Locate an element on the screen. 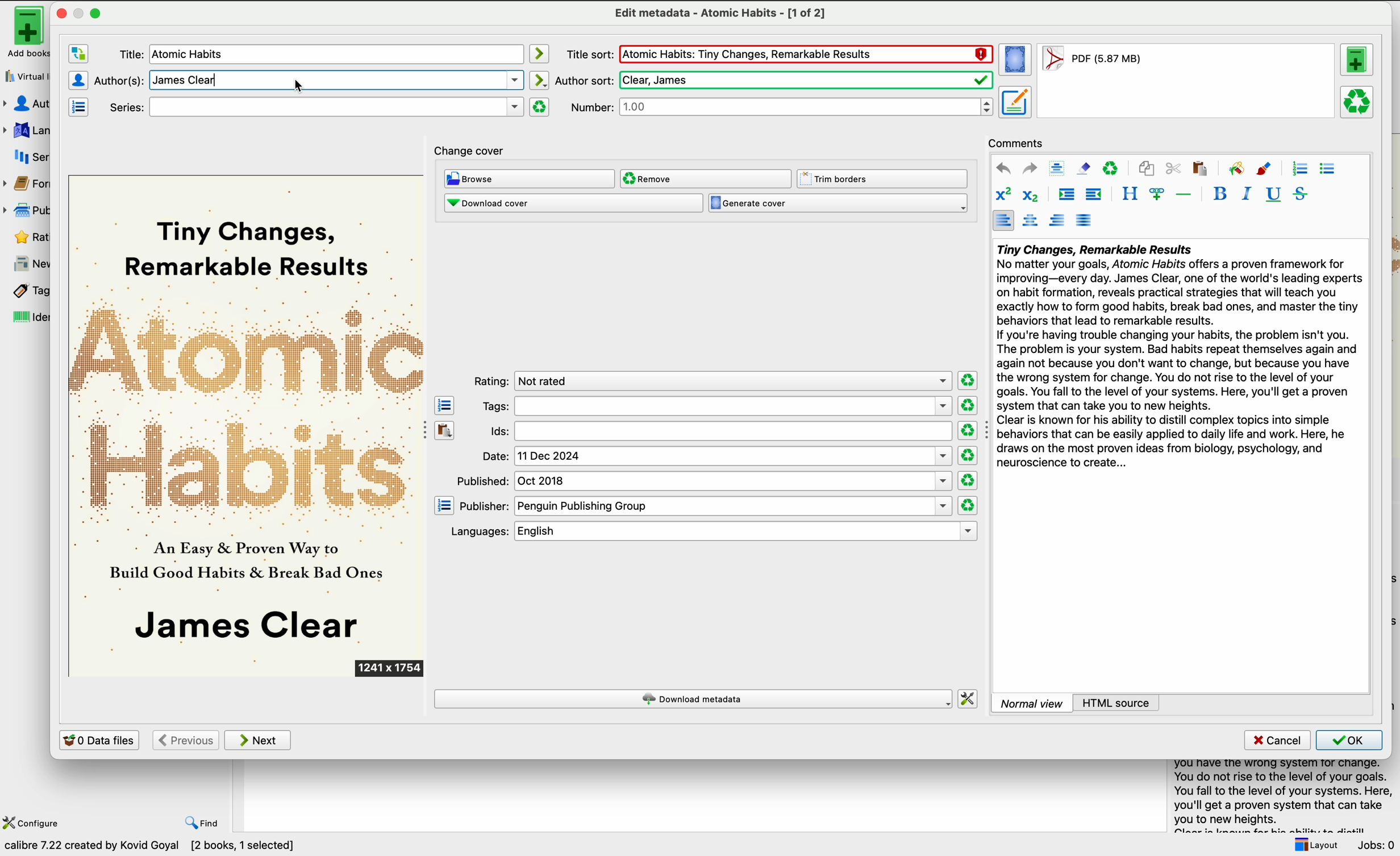  cancel button is located at coordinates (1276, 741).